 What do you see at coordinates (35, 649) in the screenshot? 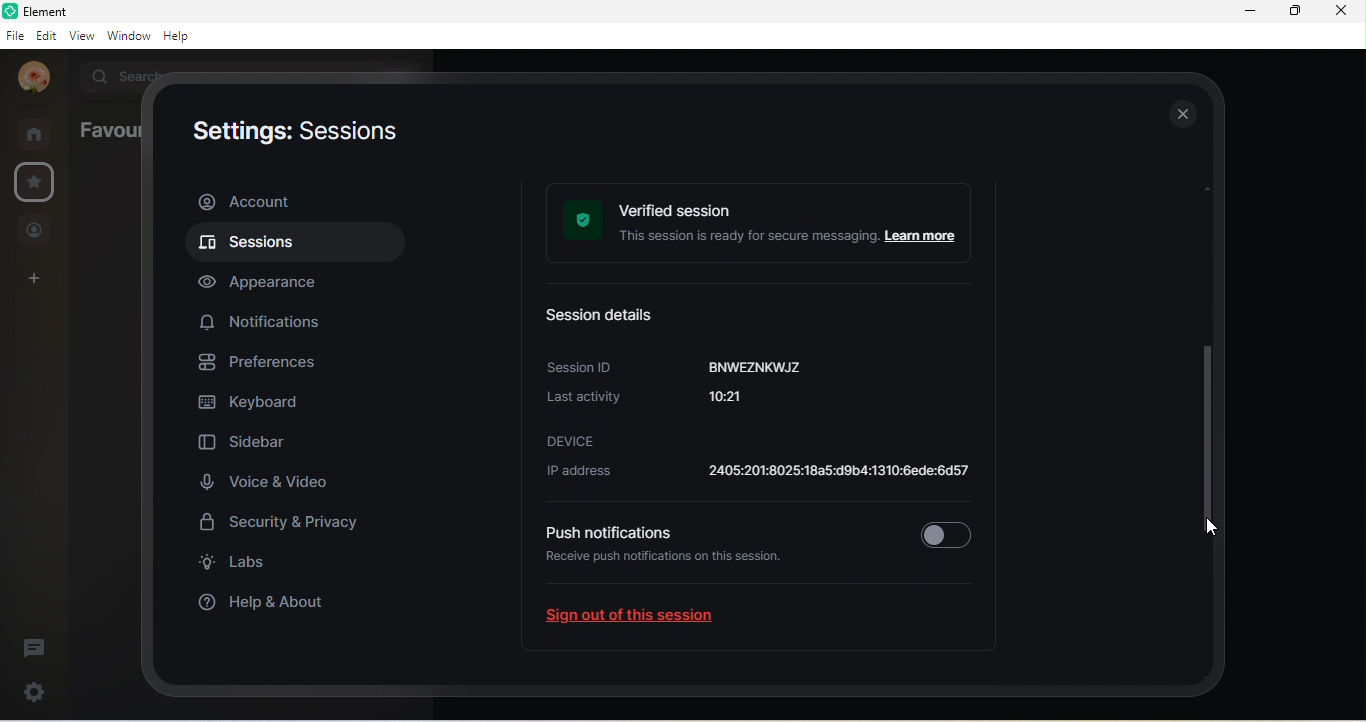
I see `threads` at bounding box center [35, 649].